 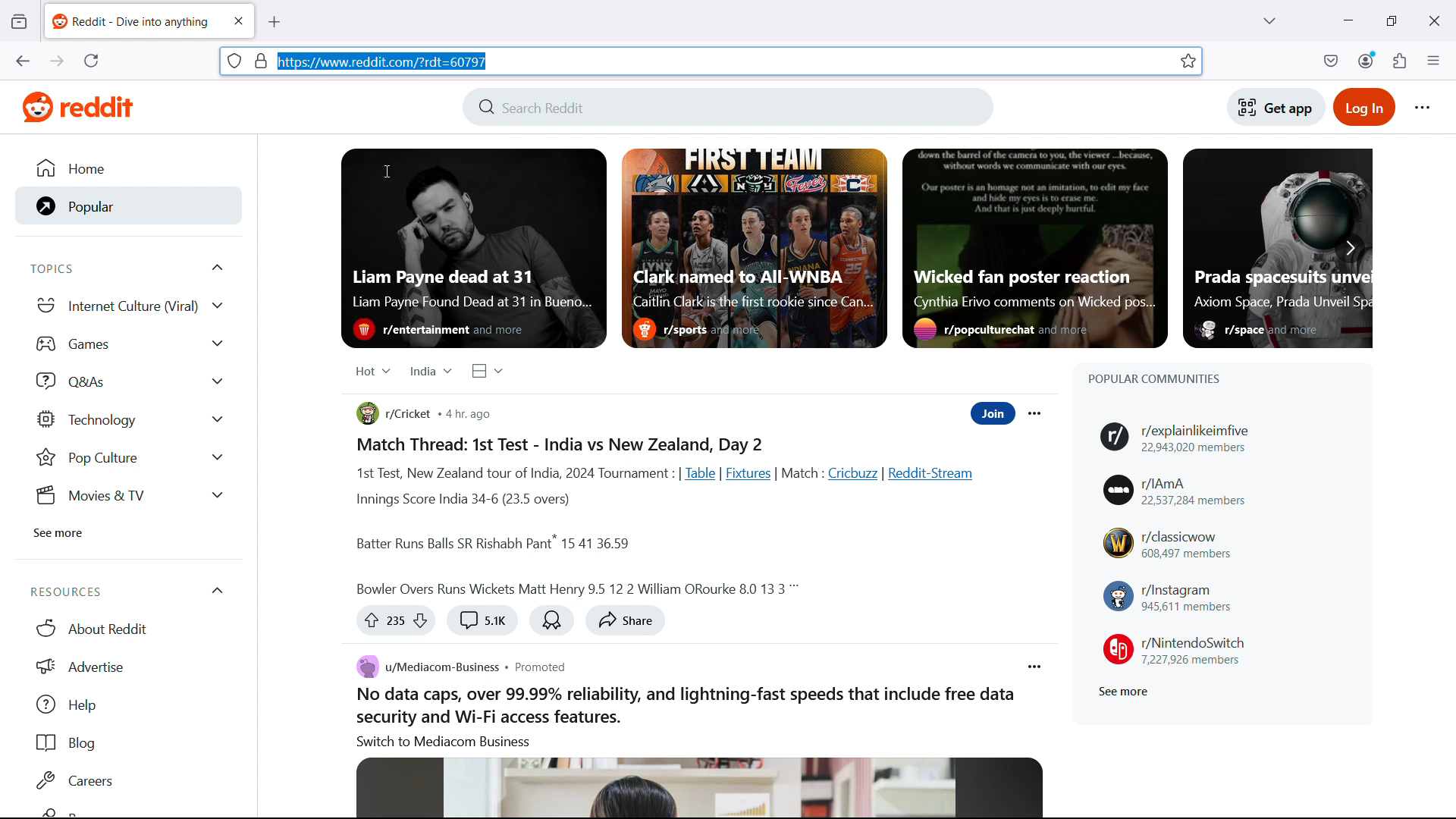 I want to click on site information, so click(x=235, y=60).